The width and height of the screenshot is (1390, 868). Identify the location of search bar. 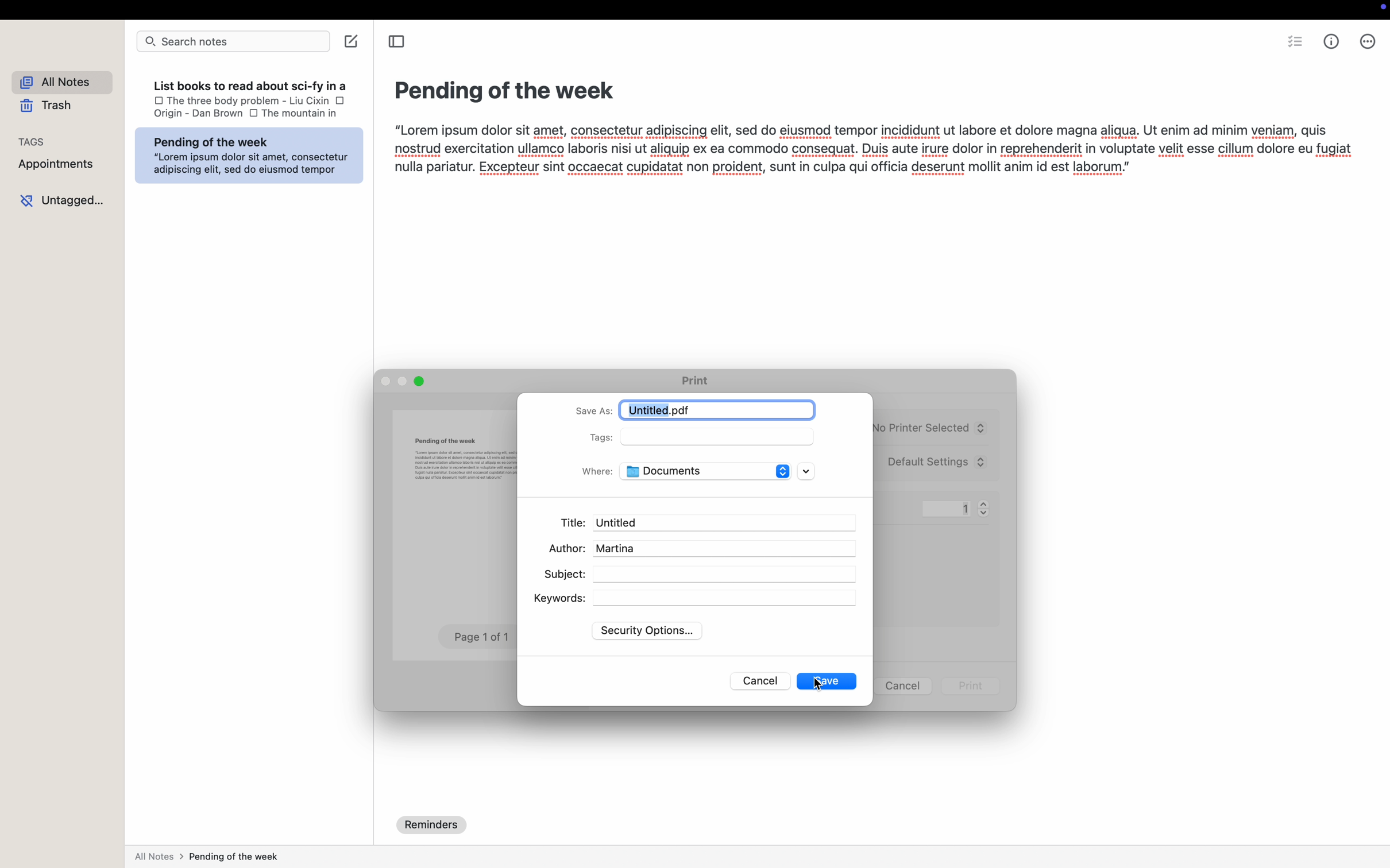
(233, 42).